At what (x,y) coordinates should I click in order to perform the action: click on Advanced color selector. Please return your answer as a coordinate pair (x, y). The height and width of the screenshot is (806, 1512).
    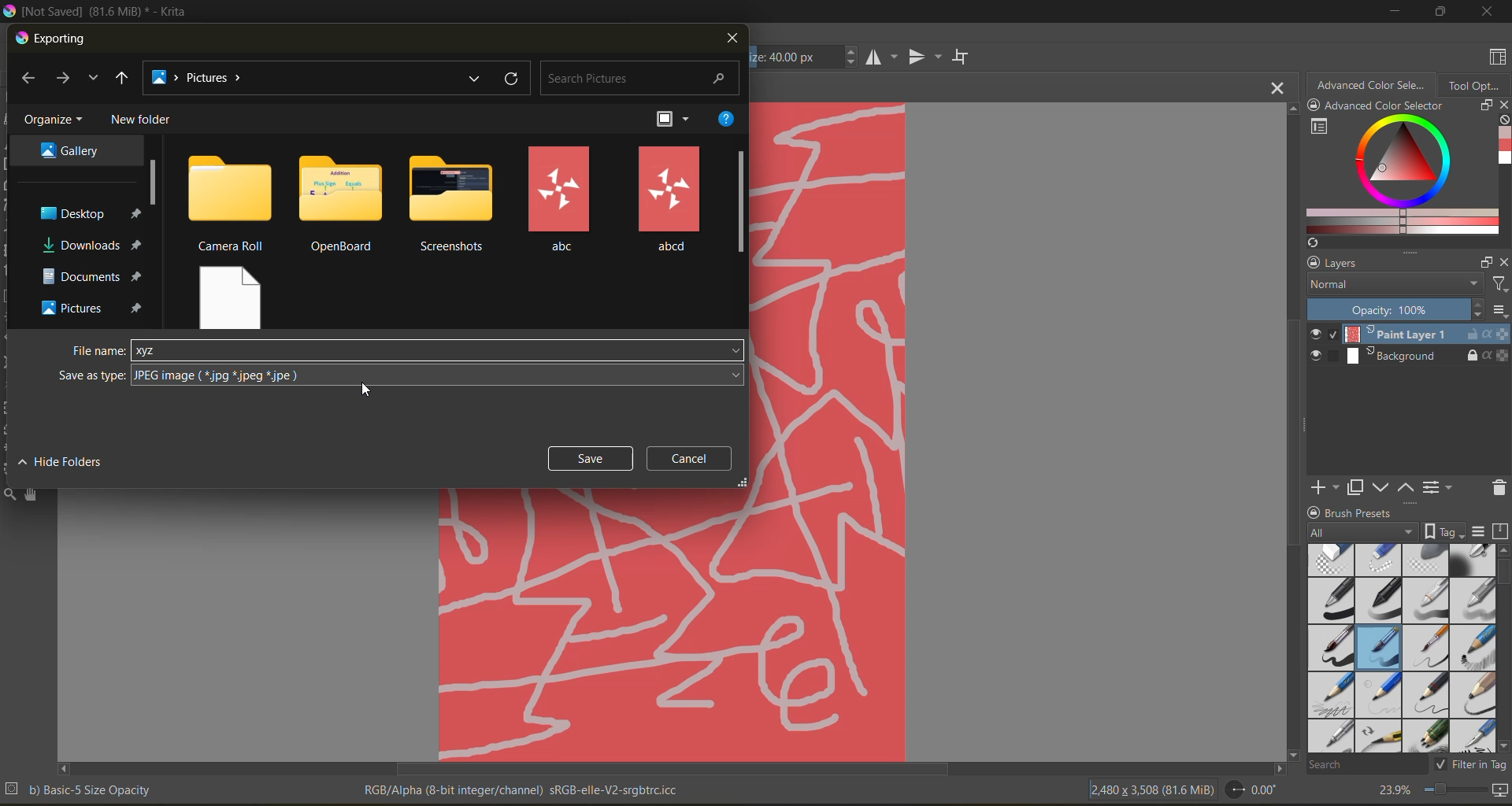
    Looking at the image, I should click on (1384, 107).